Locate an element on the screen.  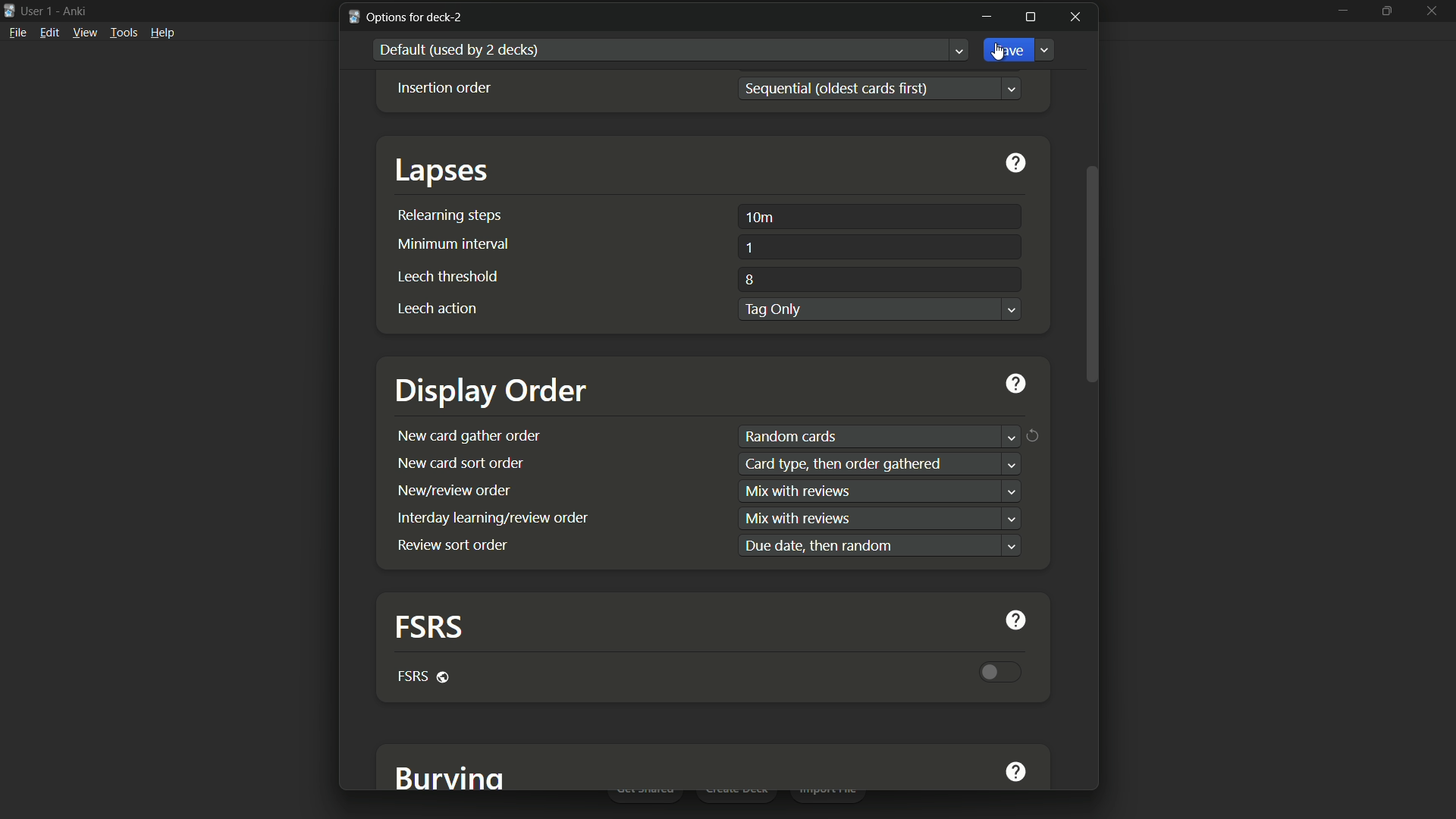
random cards is located at coordinates (791, 437).